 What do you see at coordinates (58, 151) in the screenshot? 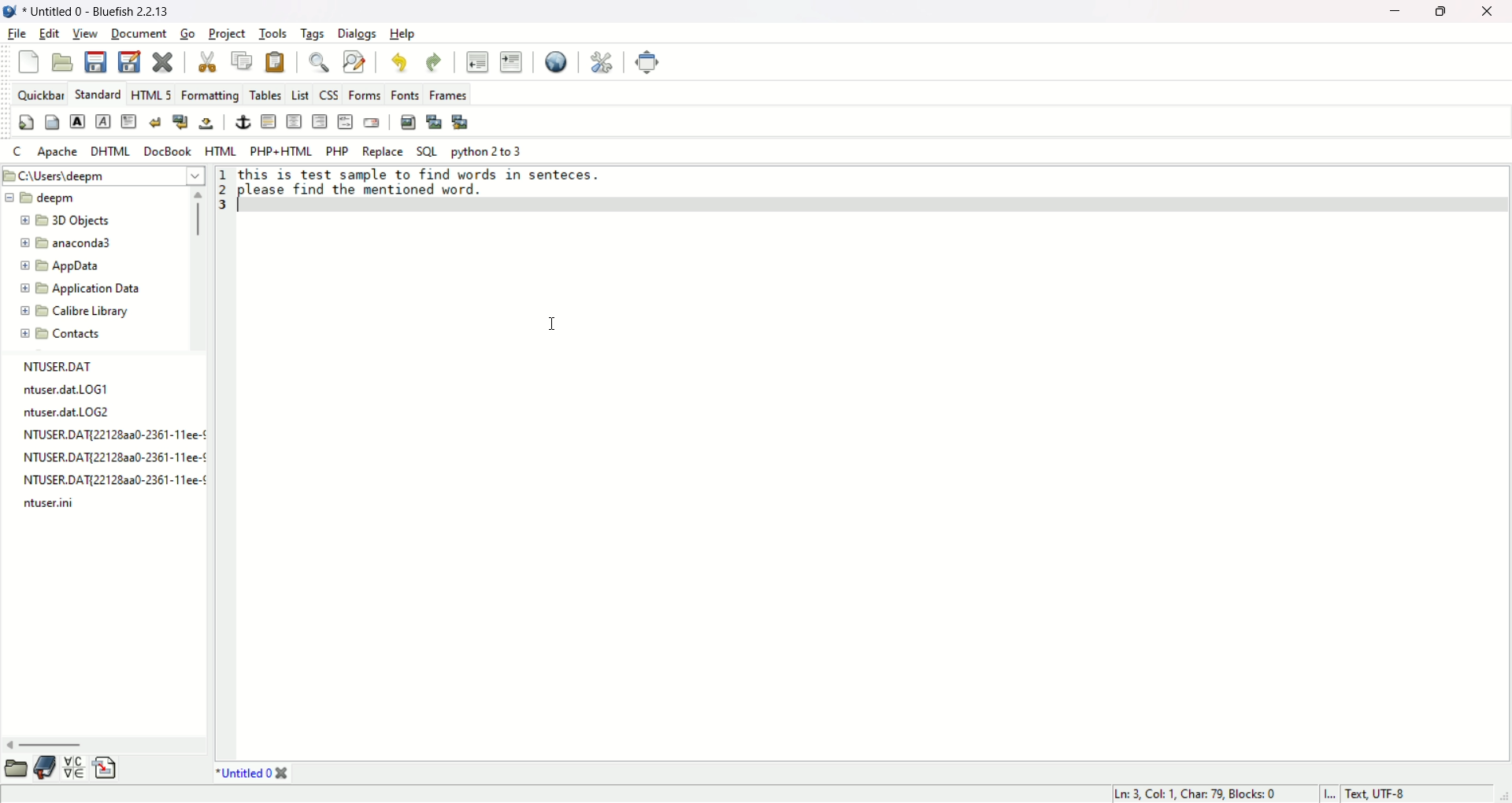
I see `apache` at bounding box center [58, 151].